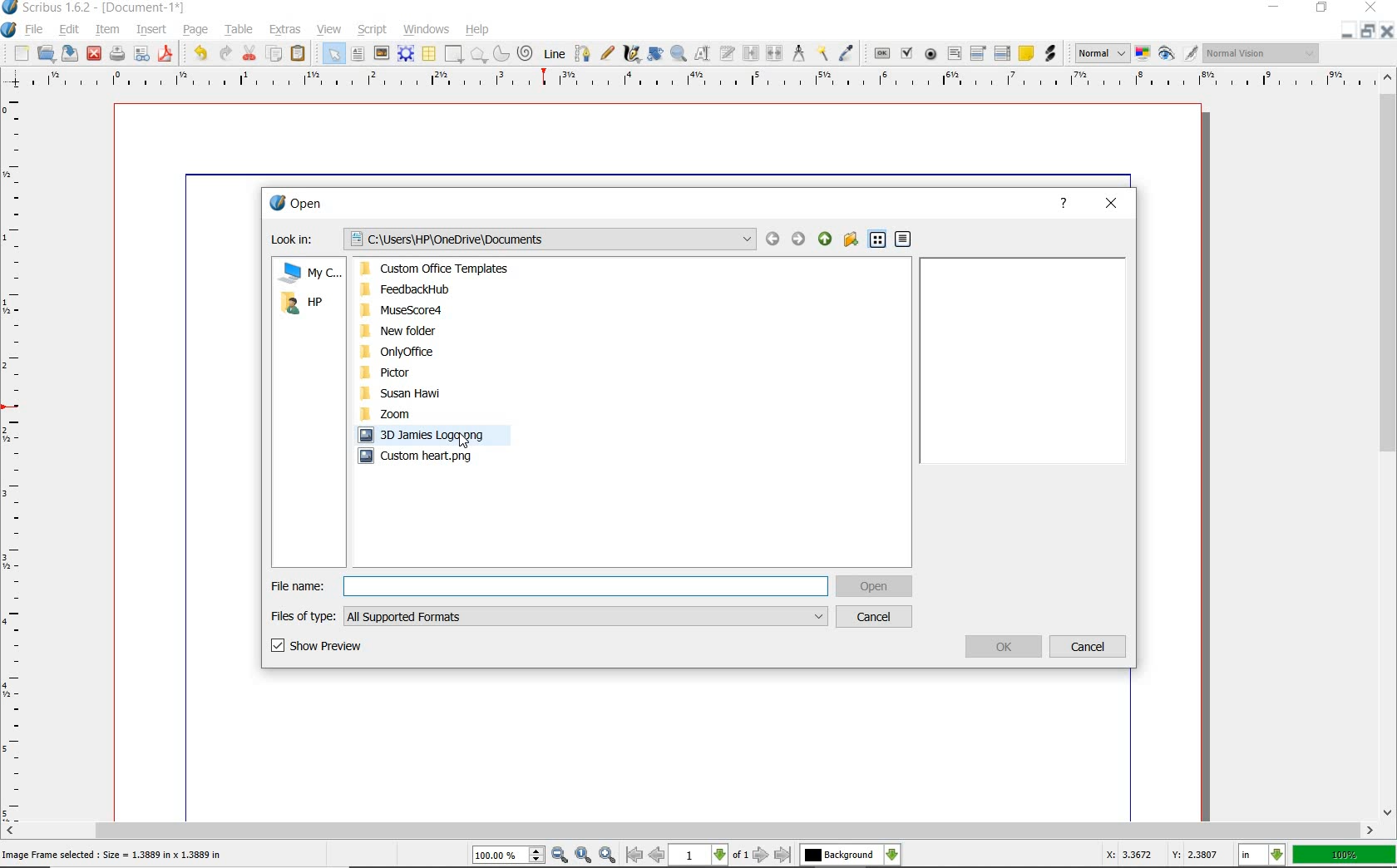 The width and height of the screenshot is (1397, 868). I want to click on pdf list box, so click(1002, 55).